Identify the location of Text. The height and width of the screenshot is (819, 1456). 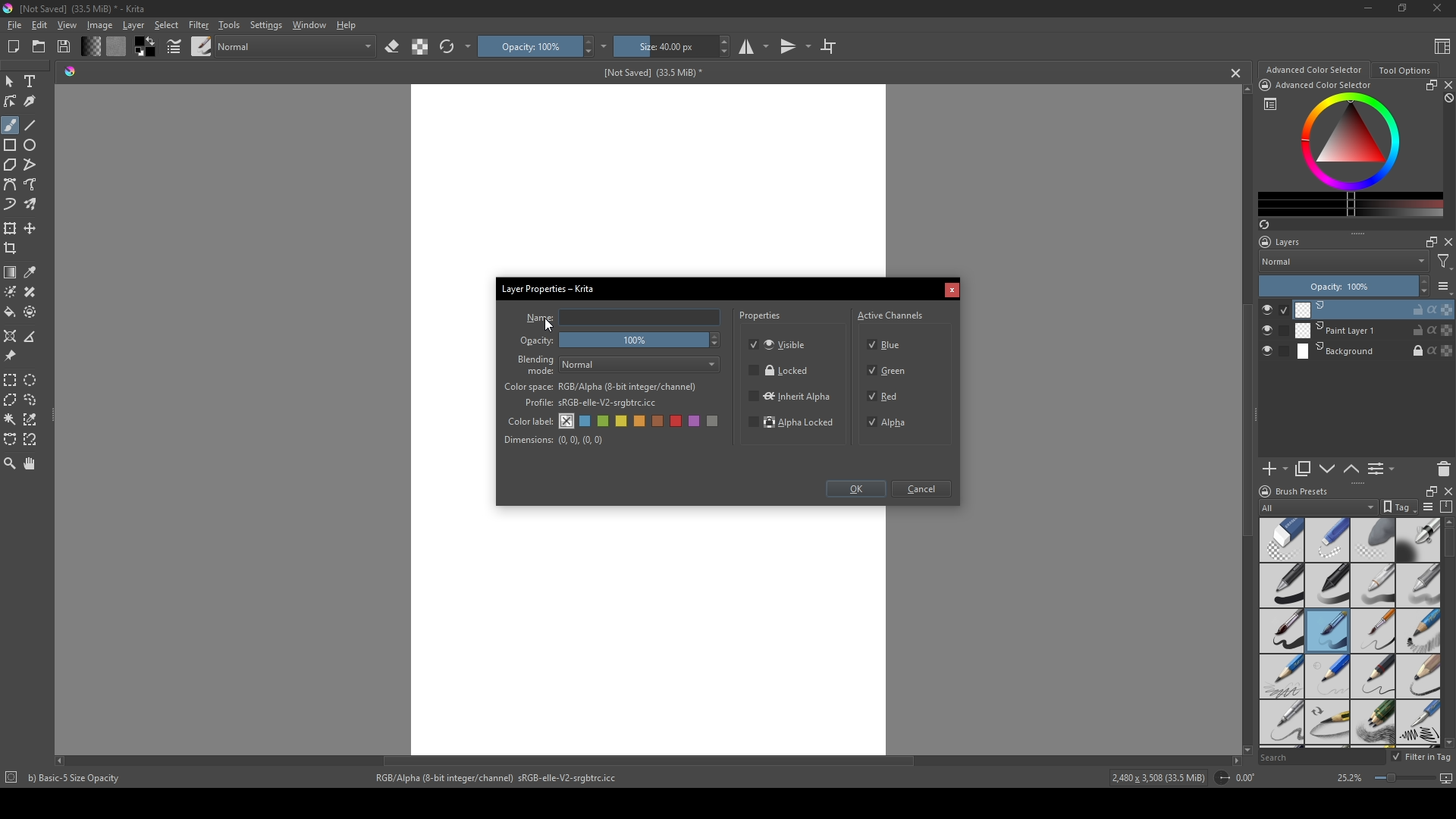
(33, 83).